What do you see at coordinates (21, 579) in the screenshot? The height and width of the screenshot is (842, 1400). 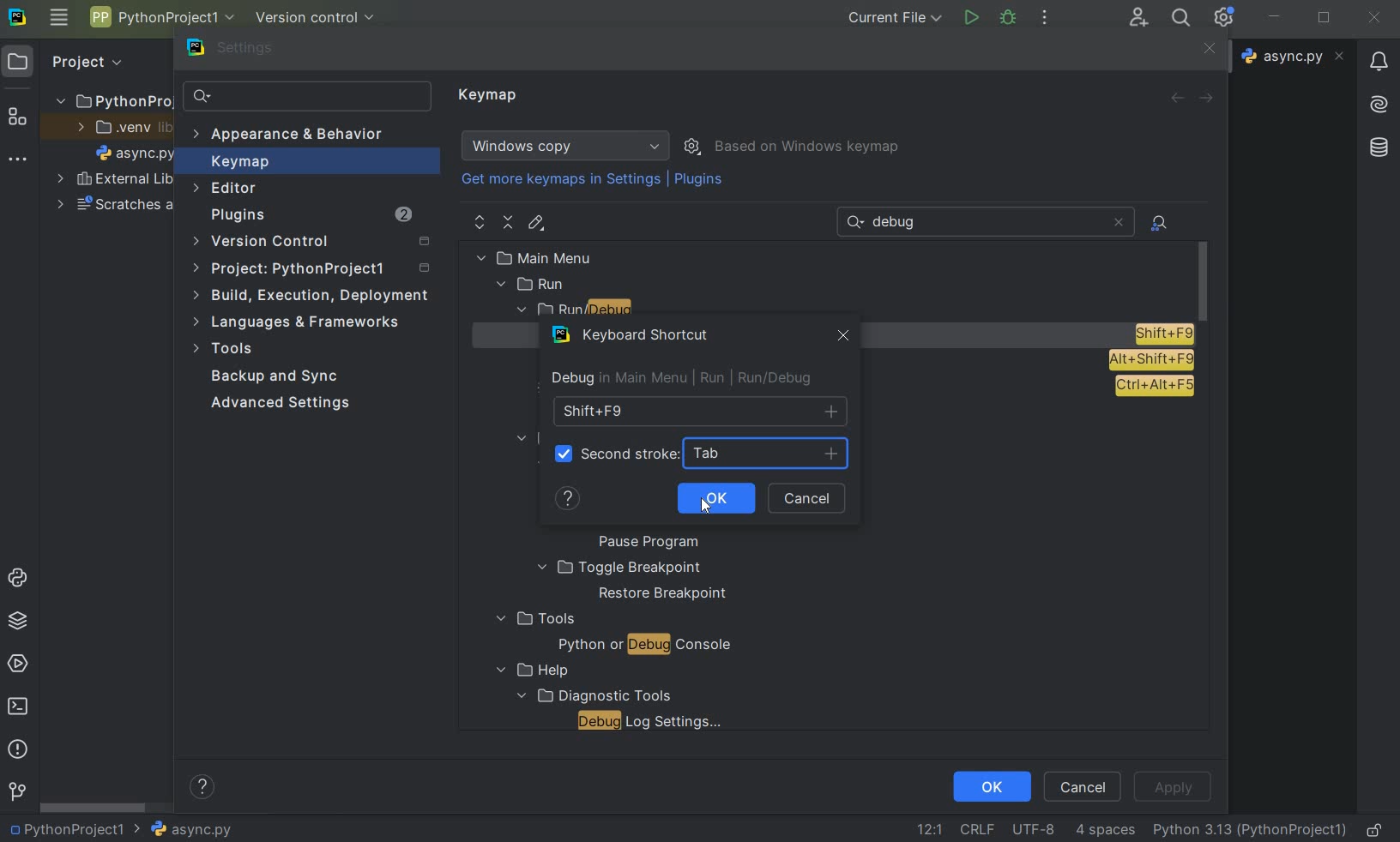 I see `python console` at bounding box center [21, 579].